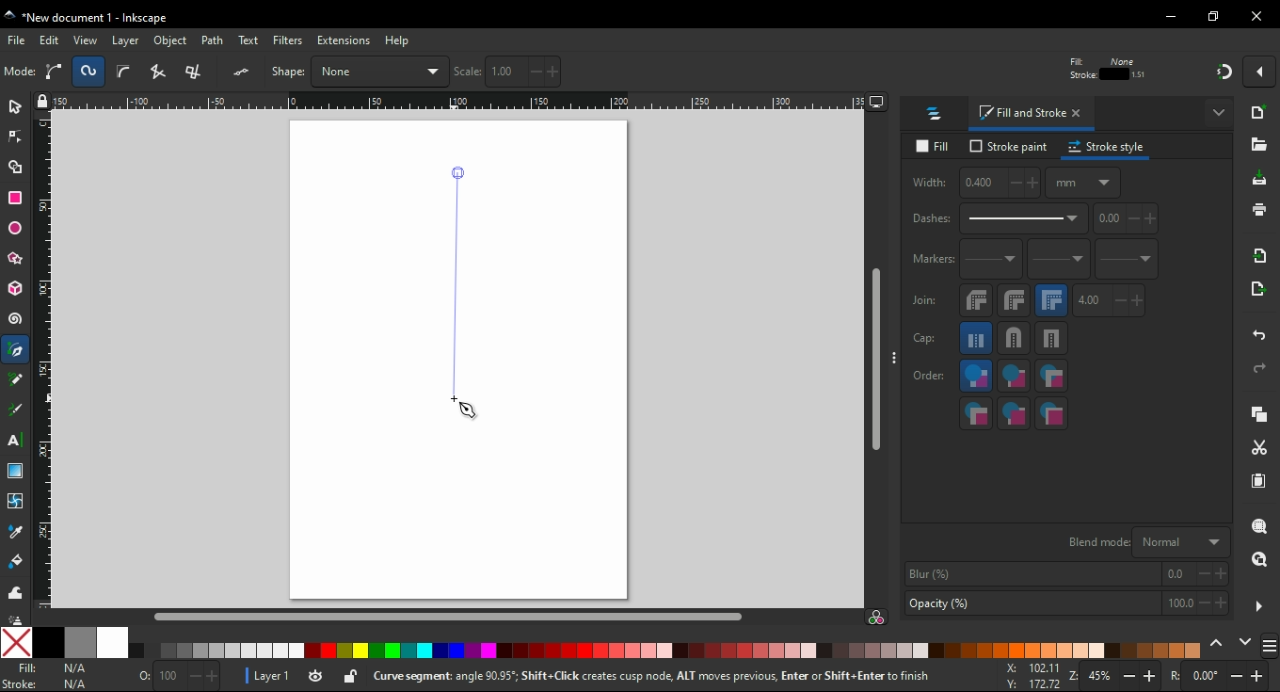 Image resolution: width=1280 pixels, height=692 pixels. Describe the element at coordinates (74, 676) in the screenshot. I see `NA` at that location.